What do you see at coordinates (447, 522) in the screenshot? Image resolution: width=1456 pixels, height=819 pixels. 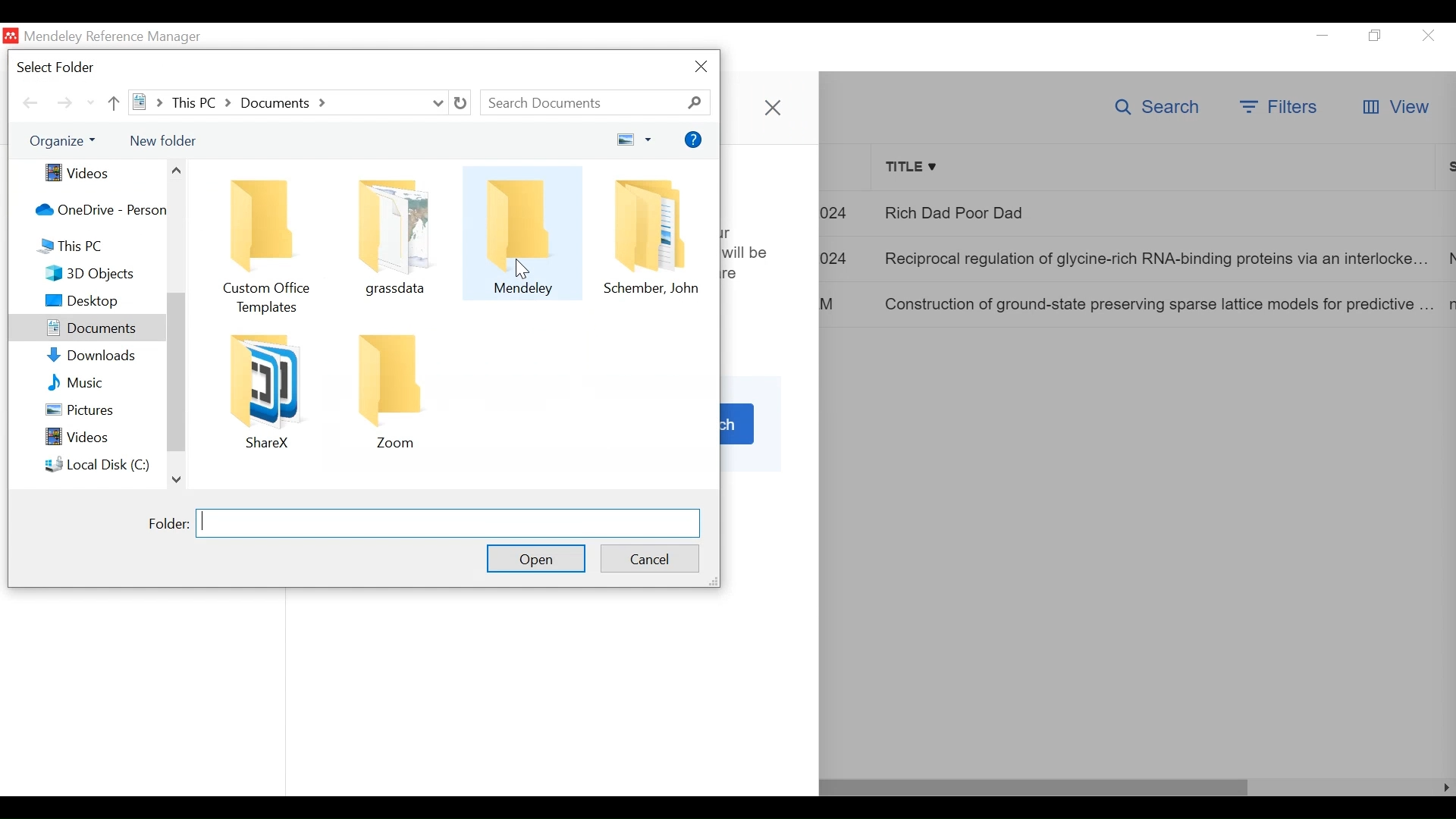 I see `Folder Field` at bounding box center [447, 522].